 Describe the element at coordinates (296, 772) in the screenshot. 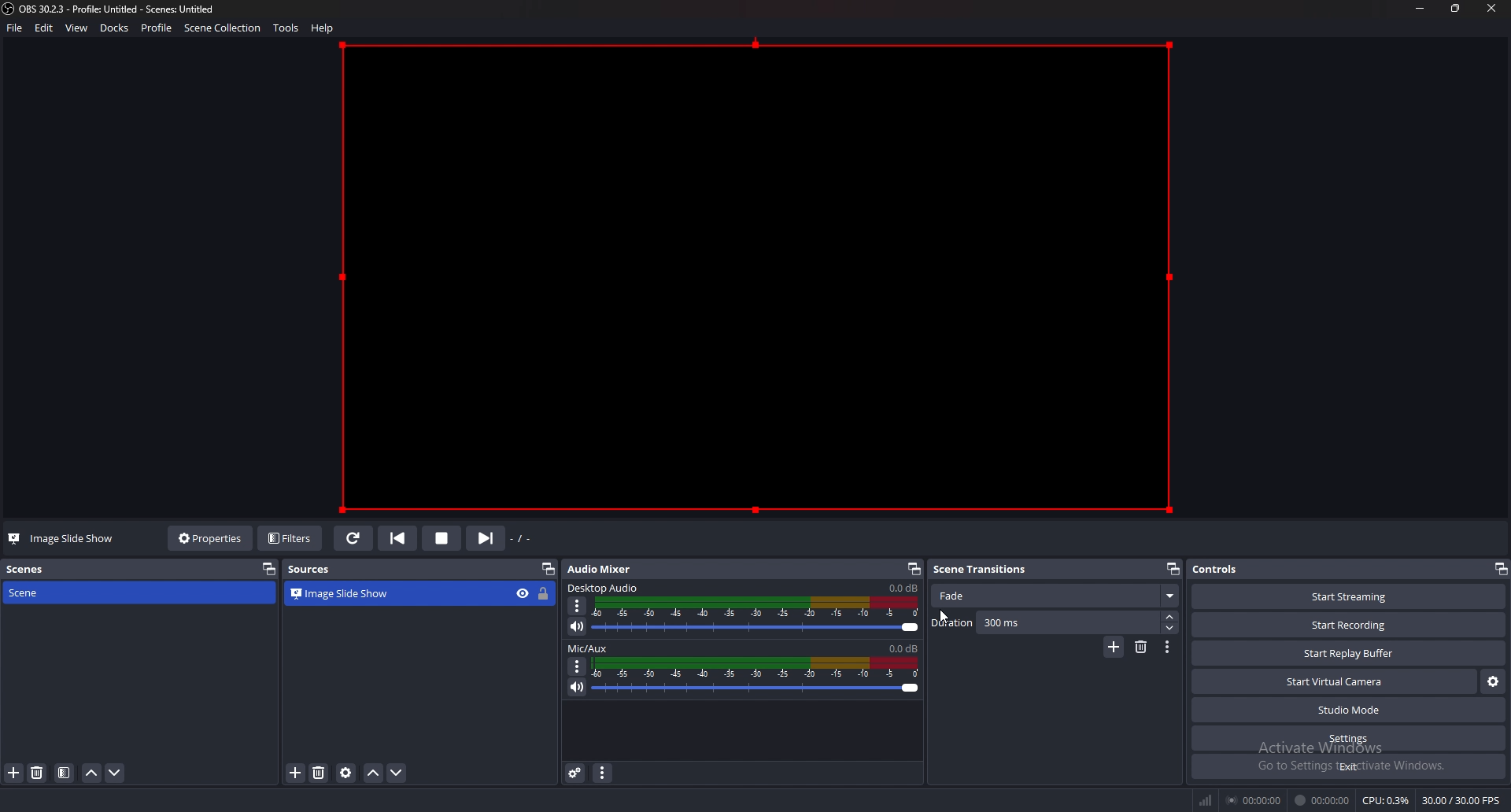

I see `add source` at that location.